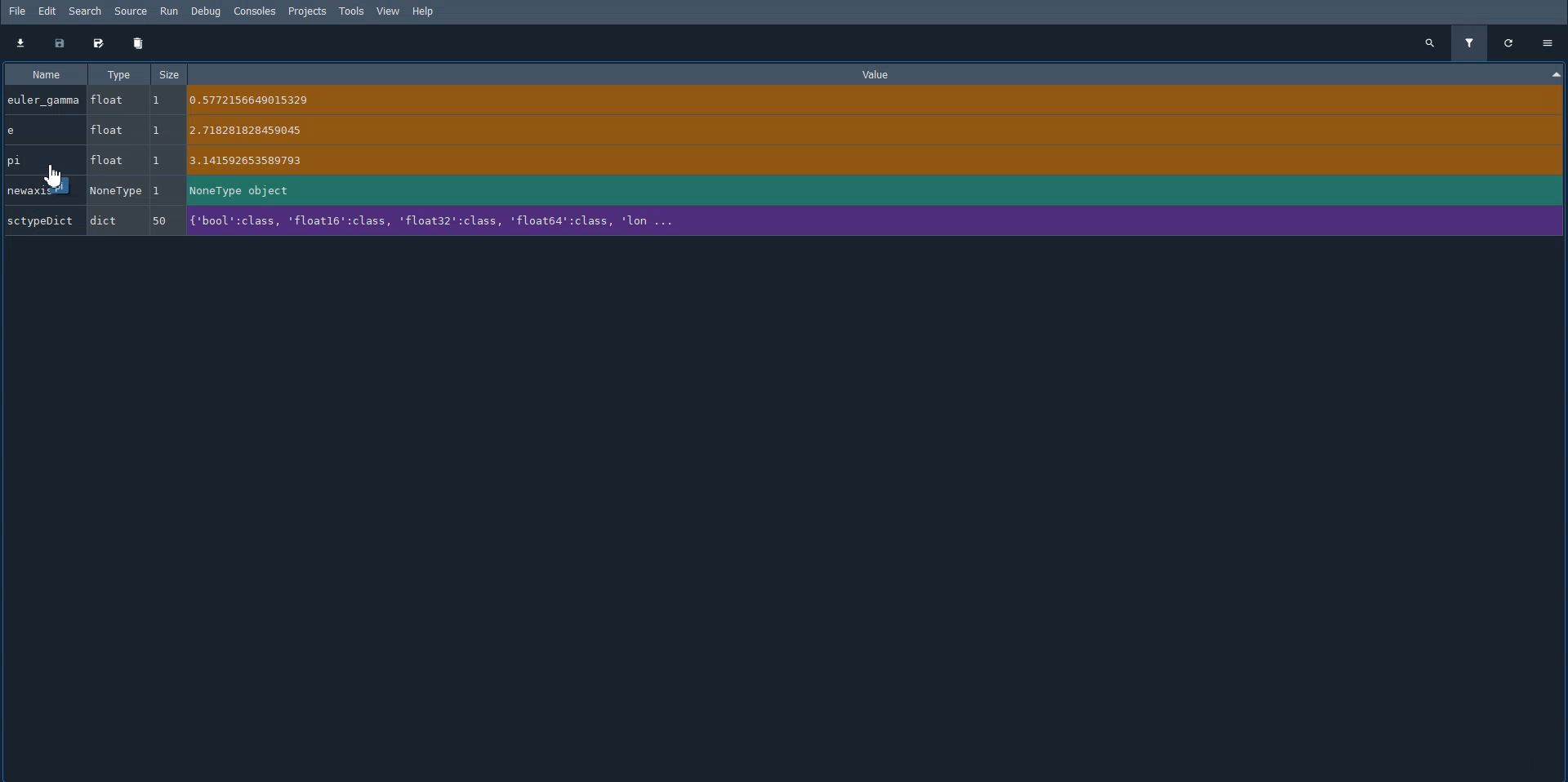  I want to click on View, so click(389, 11).